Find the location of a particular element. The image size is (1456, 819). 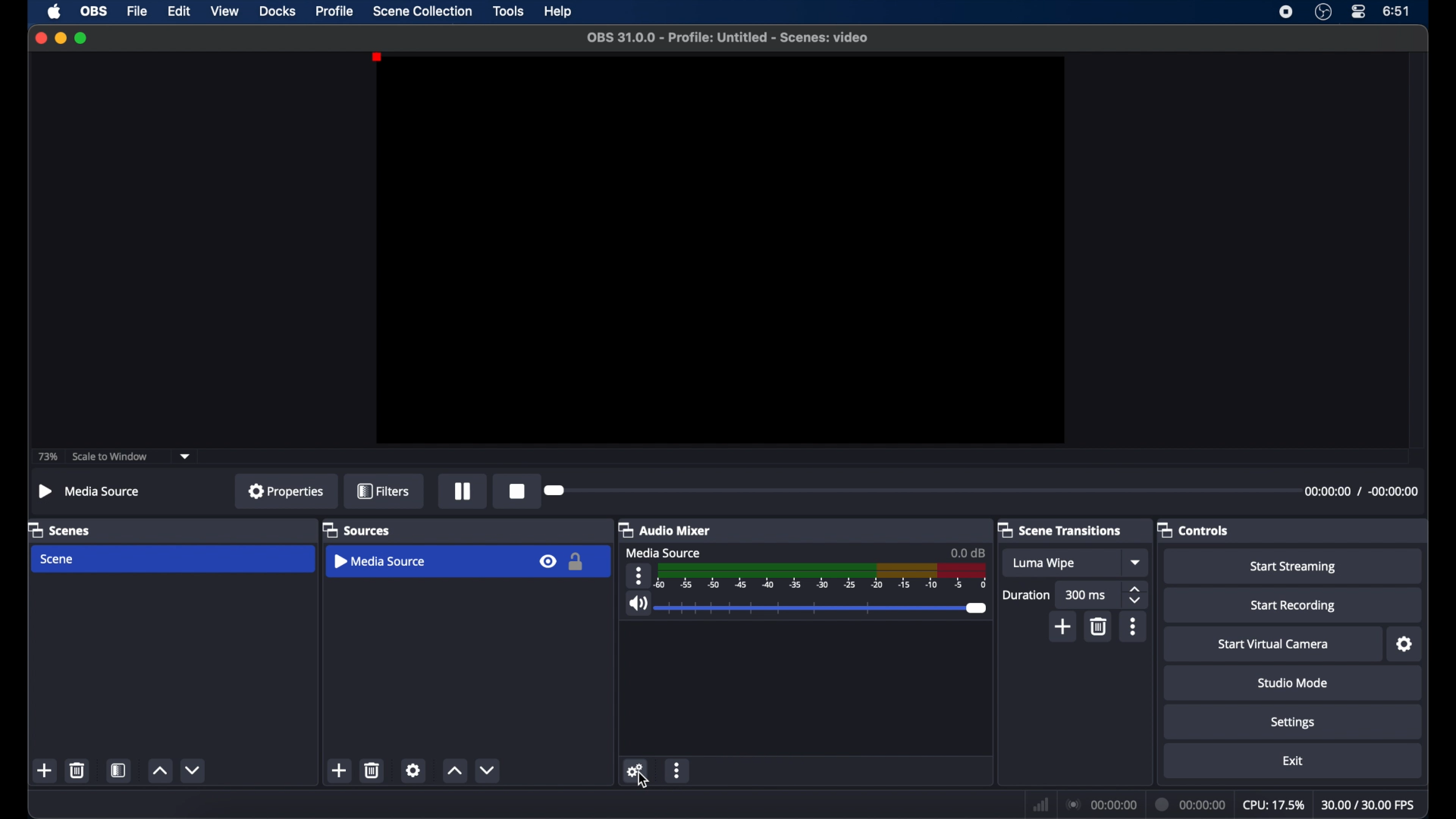

filters is located at coordinates (385, 492).